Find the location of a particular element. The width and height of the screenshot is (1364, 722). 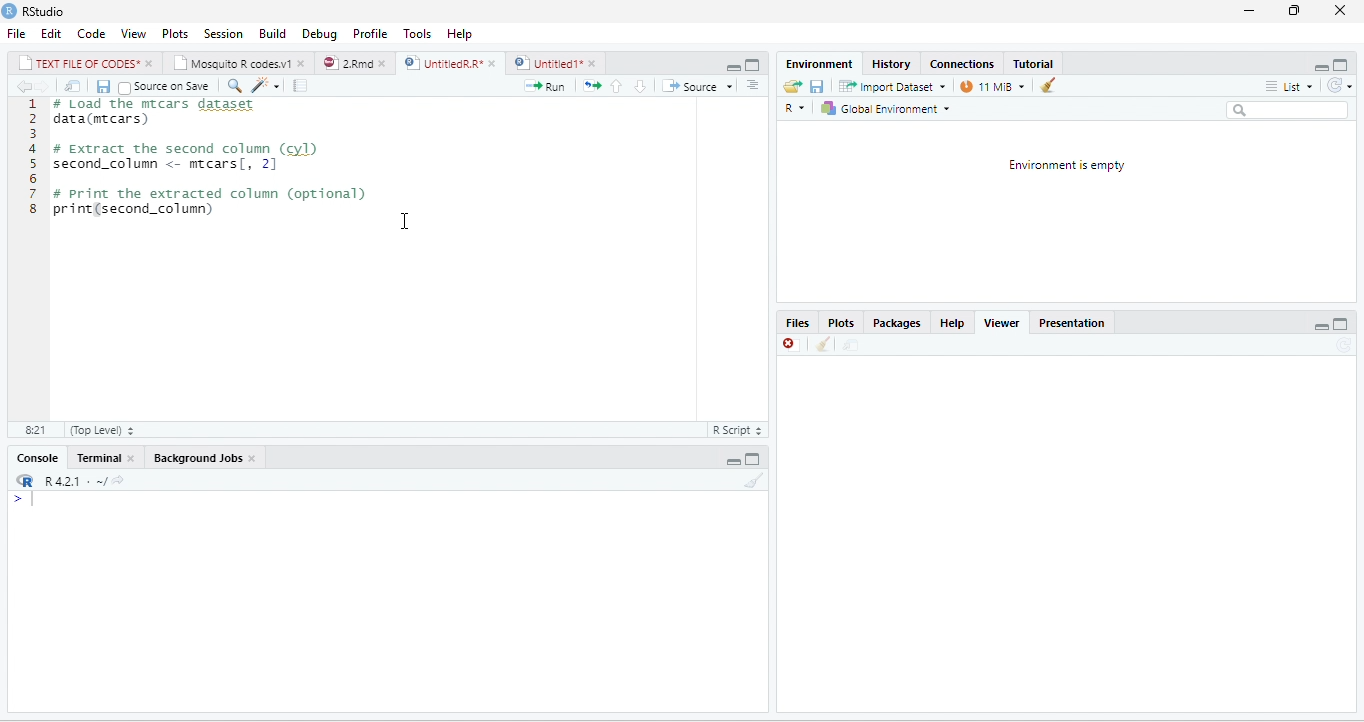

display is located at coordinates (384, 602).